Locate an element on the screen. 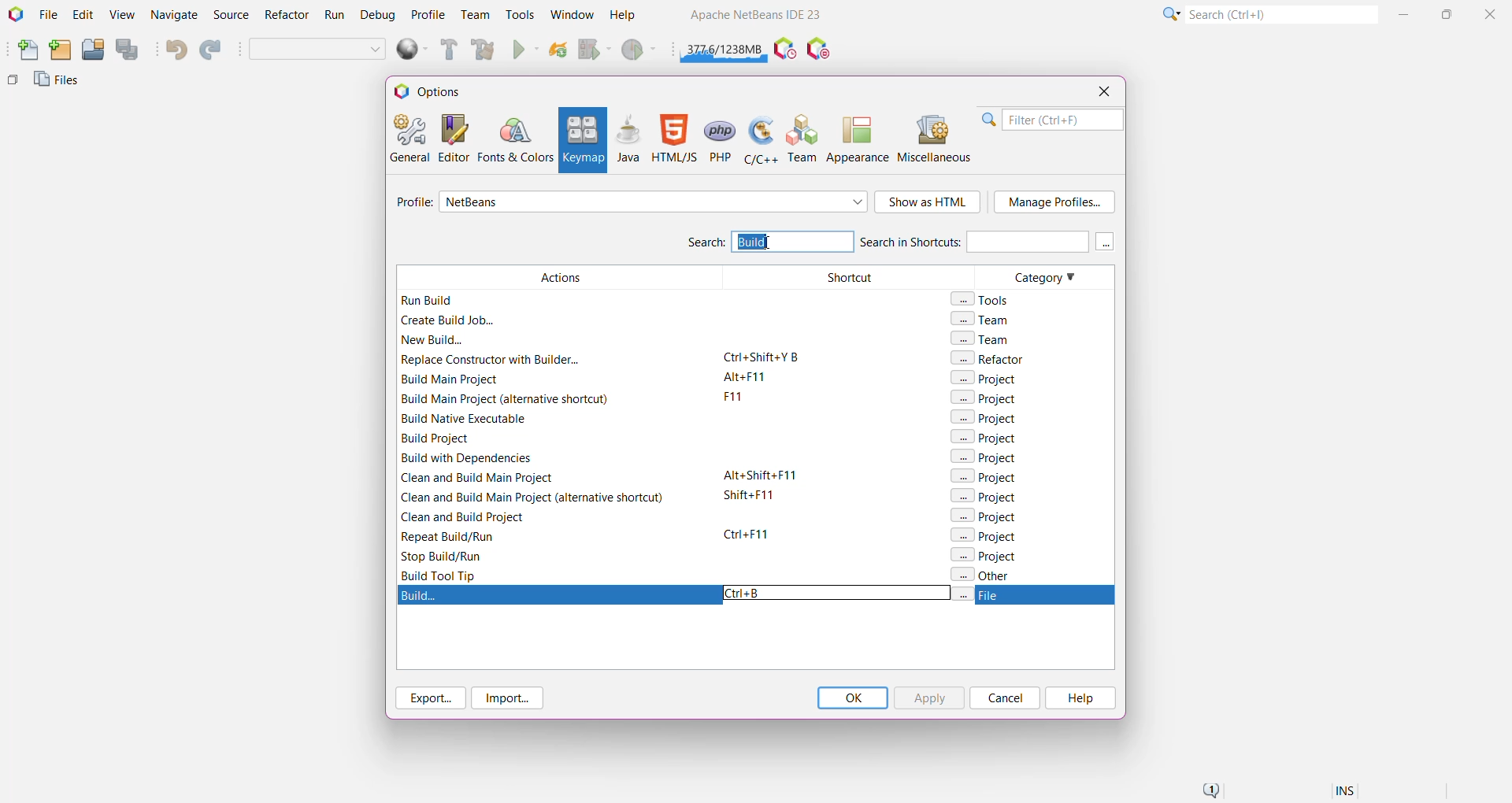 The height and width of the screenshot is (803, 1512). Appearance is located at coordinates (858, 139).